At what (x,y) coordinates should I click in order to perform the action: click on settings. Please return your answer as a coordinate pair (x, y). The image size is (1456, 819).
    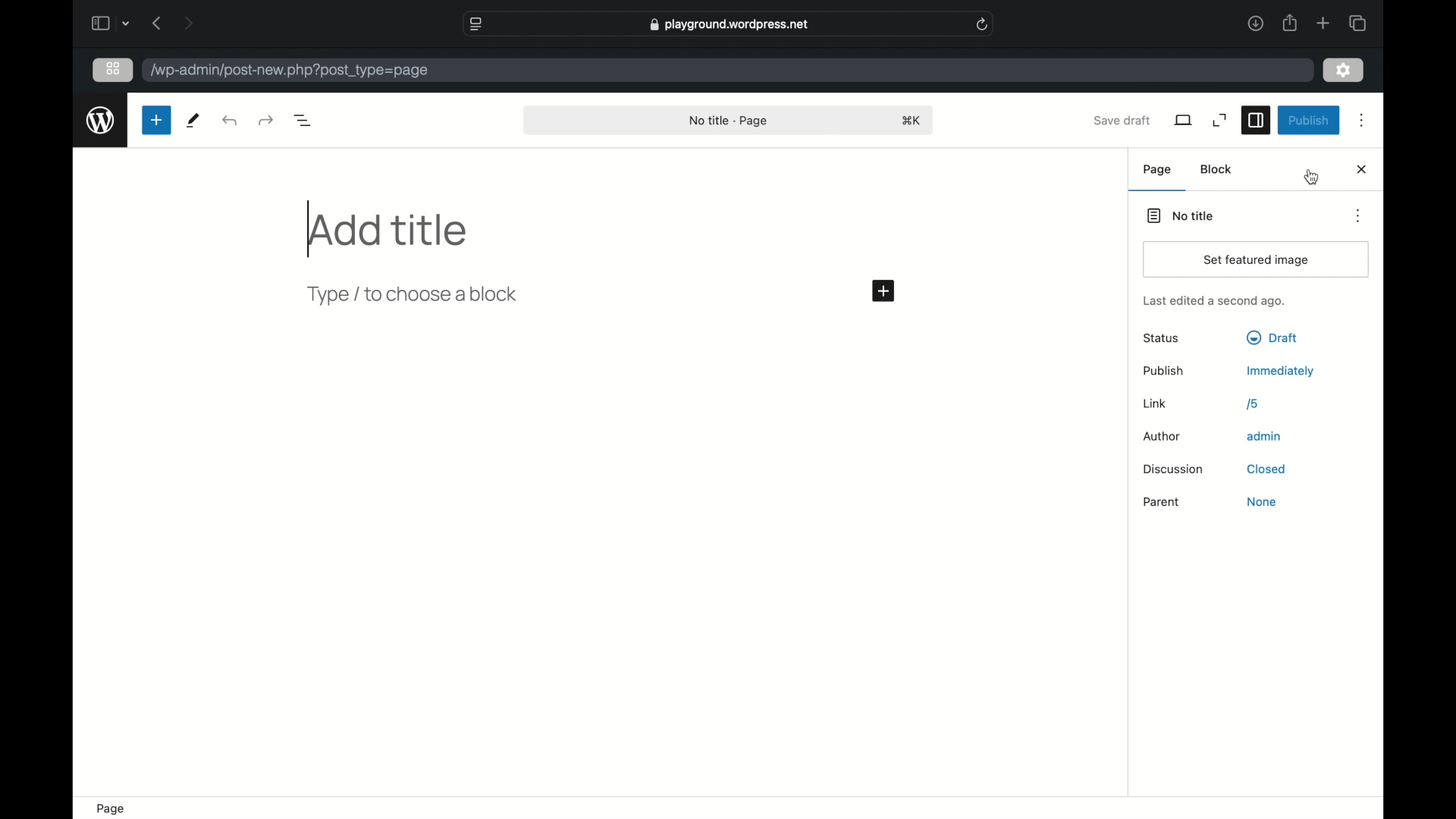
    Looking at the image, I should click on (1345, 71).